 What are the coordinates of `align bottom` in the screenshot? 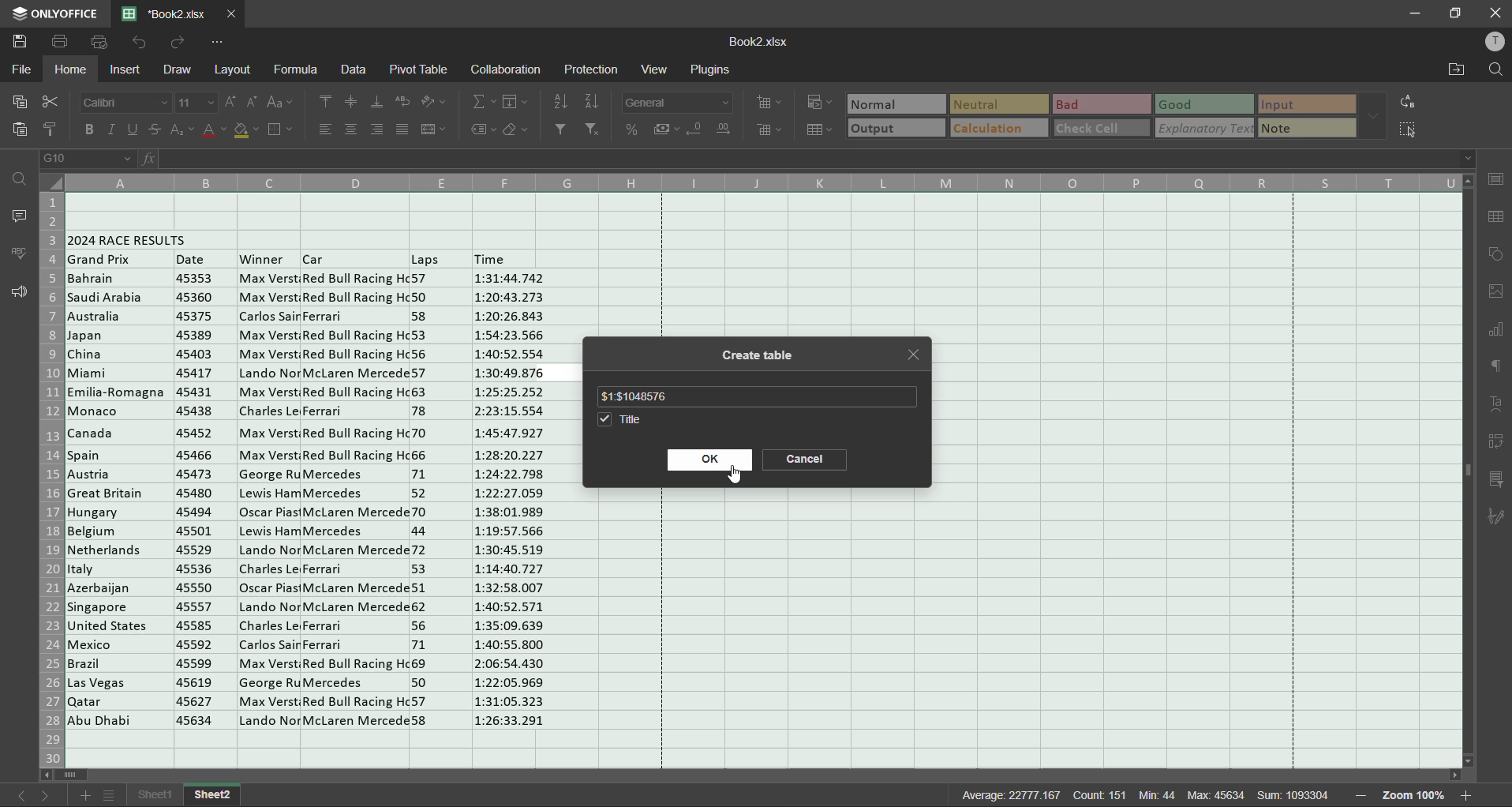 It's located at (376, 103).